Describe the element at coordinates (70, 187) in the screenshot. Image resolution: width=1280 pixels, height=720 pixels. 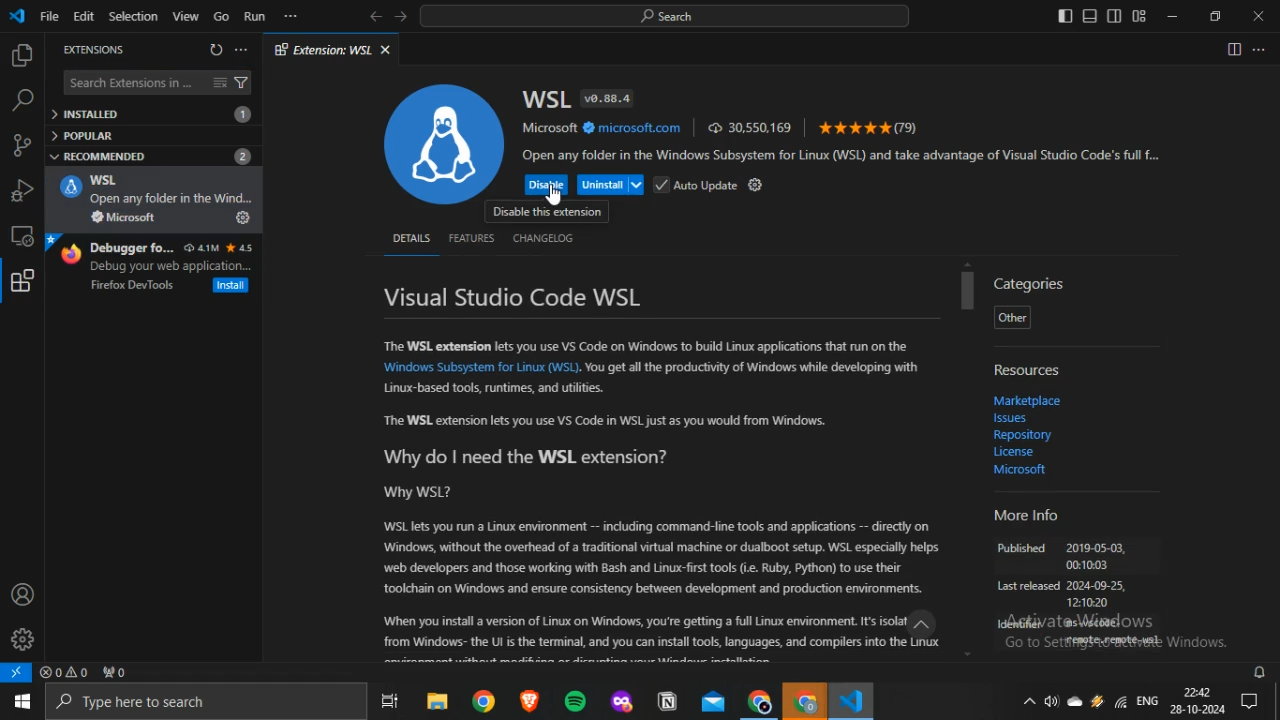
I see `WSL` at that location.